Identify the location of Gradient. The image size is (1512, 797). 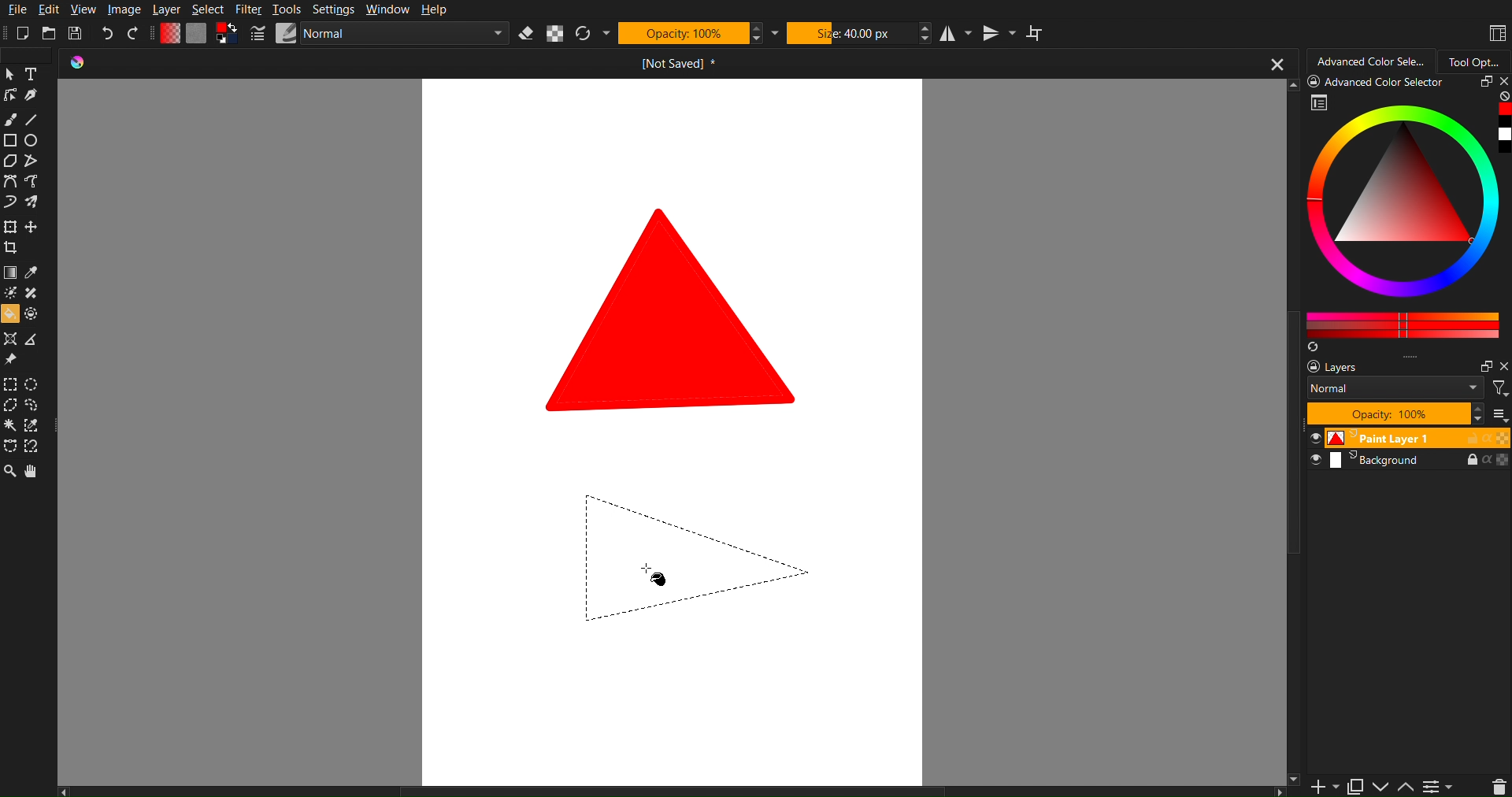
(9, 274).